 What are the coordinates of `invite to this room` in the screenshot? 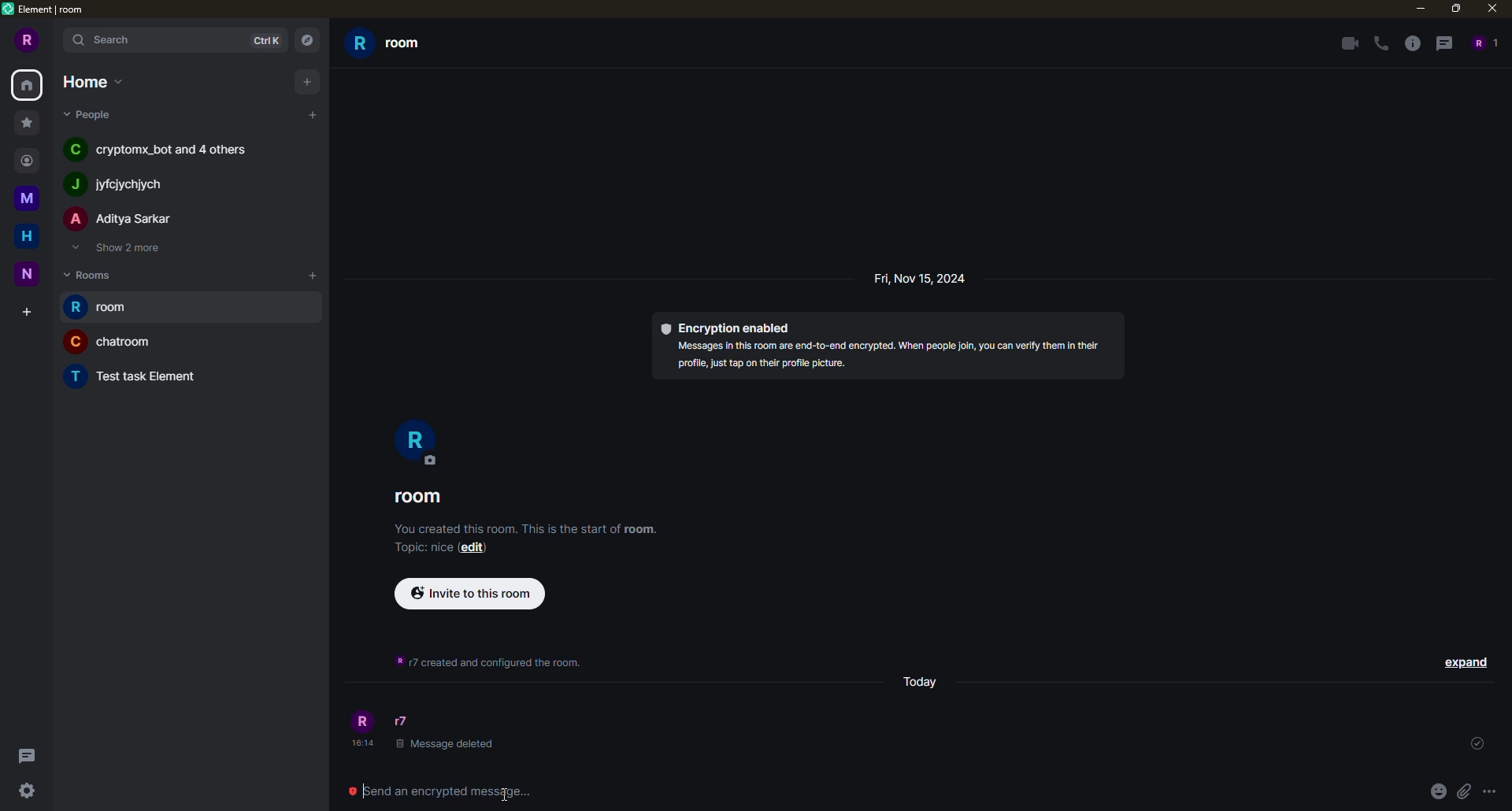 It's located at (470, 594).